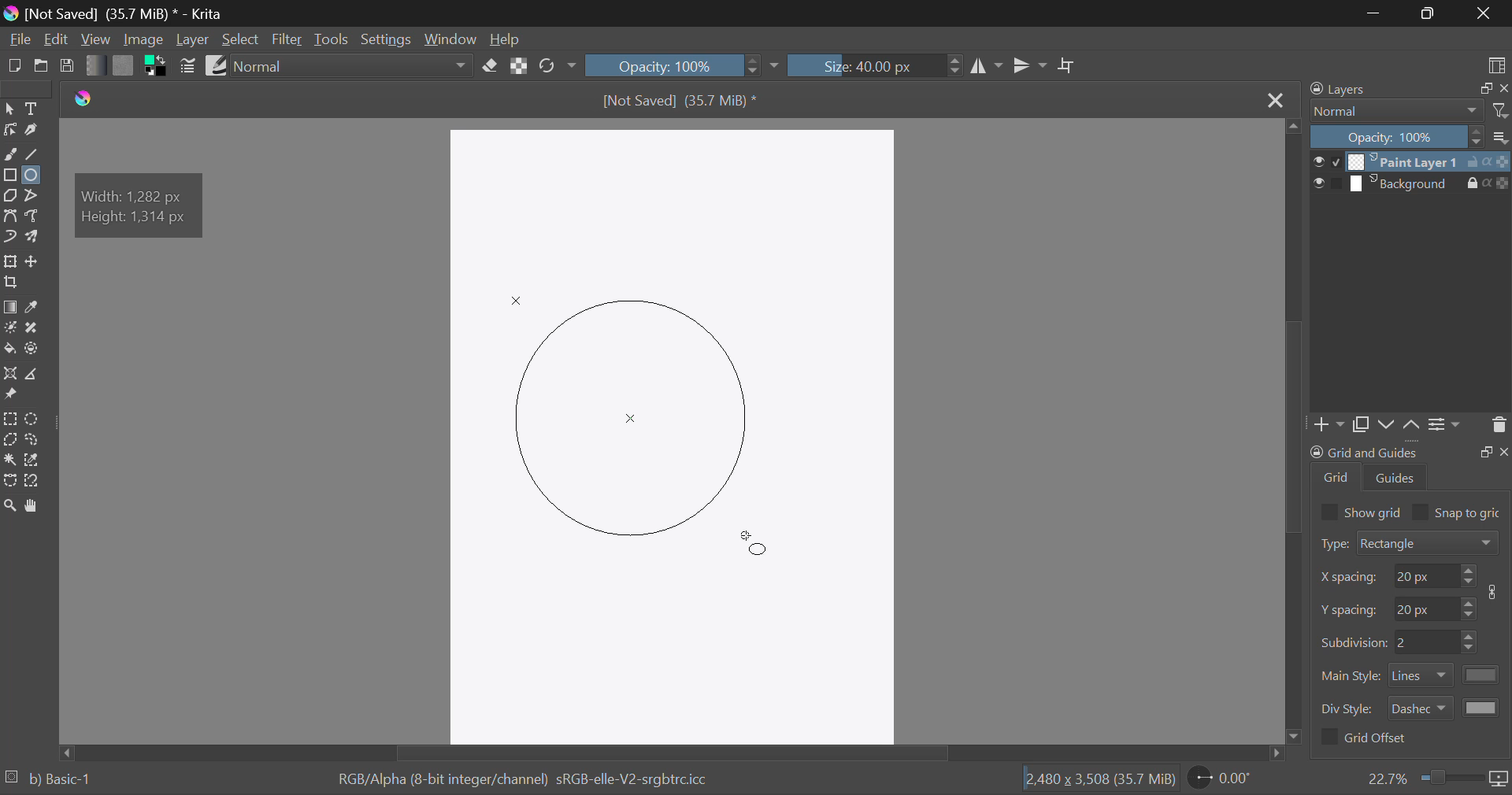 This screenshot has height=795, width=1512. I want to click on Window, so click(450, 41).